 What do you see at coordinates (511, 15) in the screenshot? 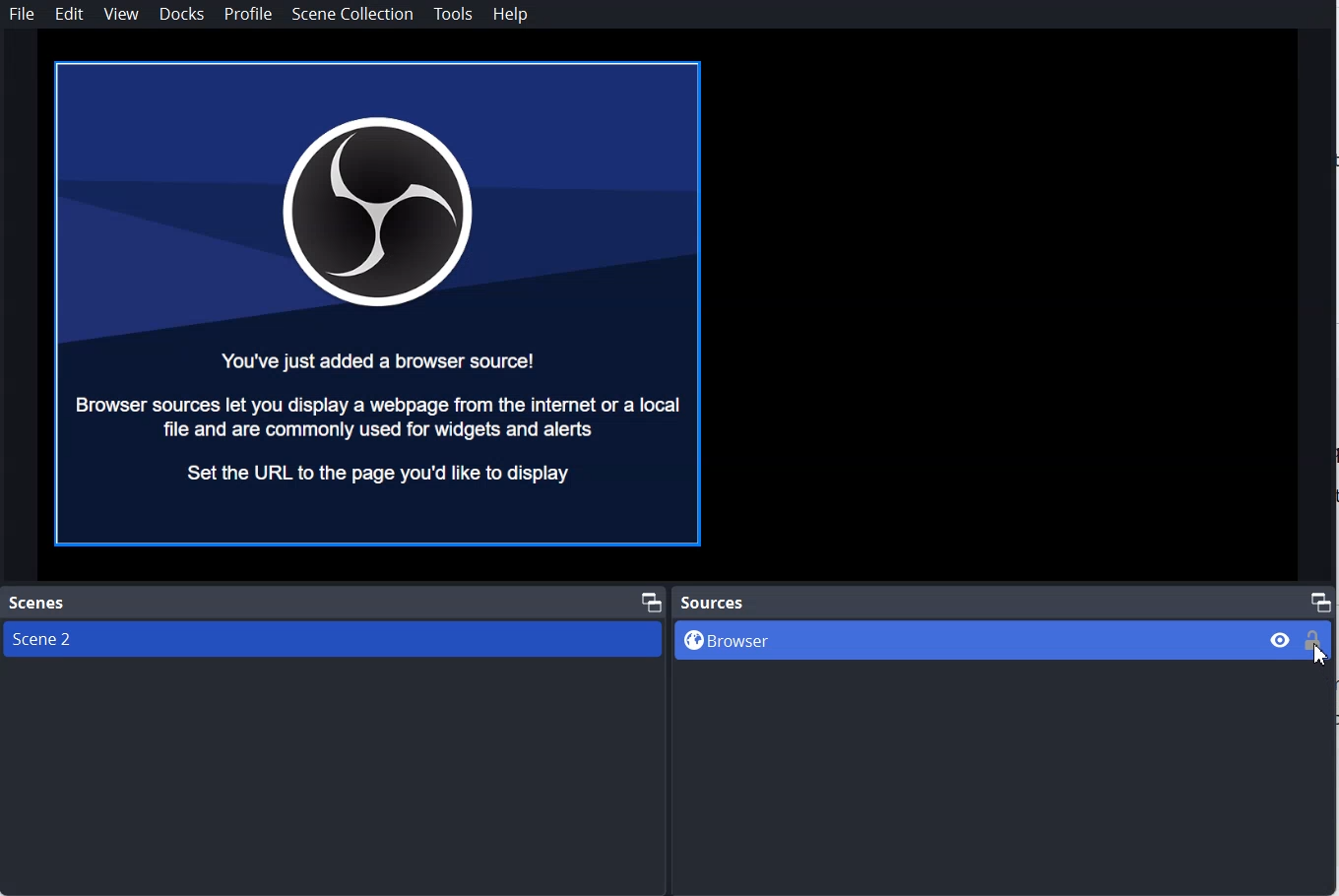
I see `Help` at bounding box center [511, 15].